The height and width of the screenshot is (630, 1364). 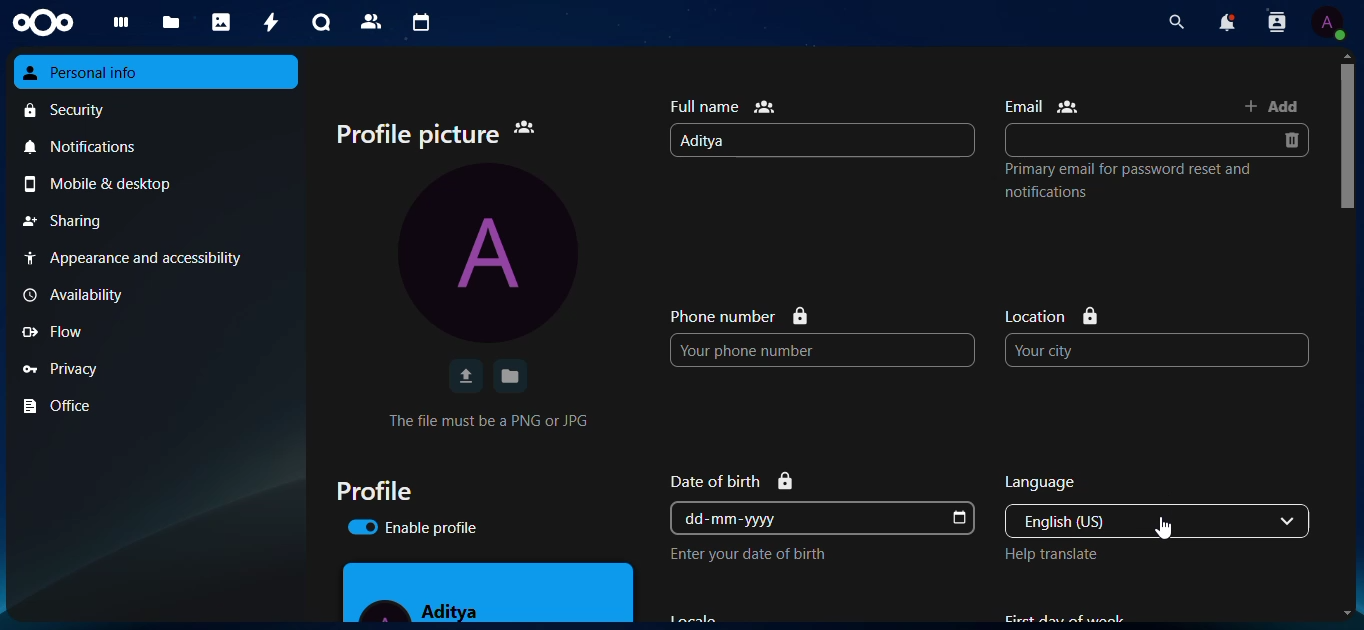 I want to click on number, so click(x=778, y=350).